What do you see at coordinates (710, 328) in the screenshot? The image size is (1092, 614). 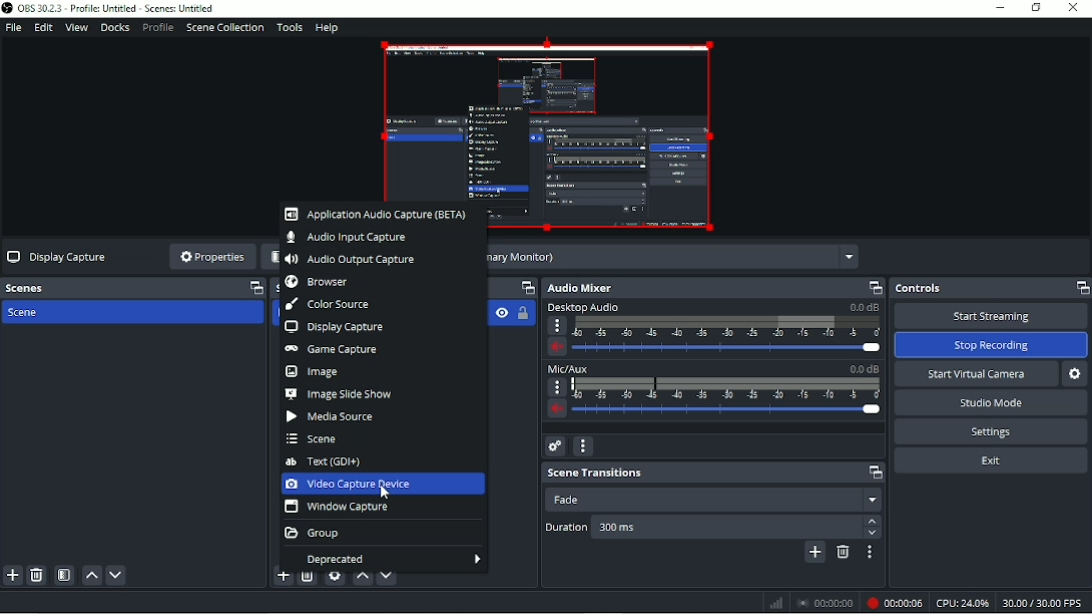 I see `Desktop Audio Slidder` at bounding box center [710, 328].